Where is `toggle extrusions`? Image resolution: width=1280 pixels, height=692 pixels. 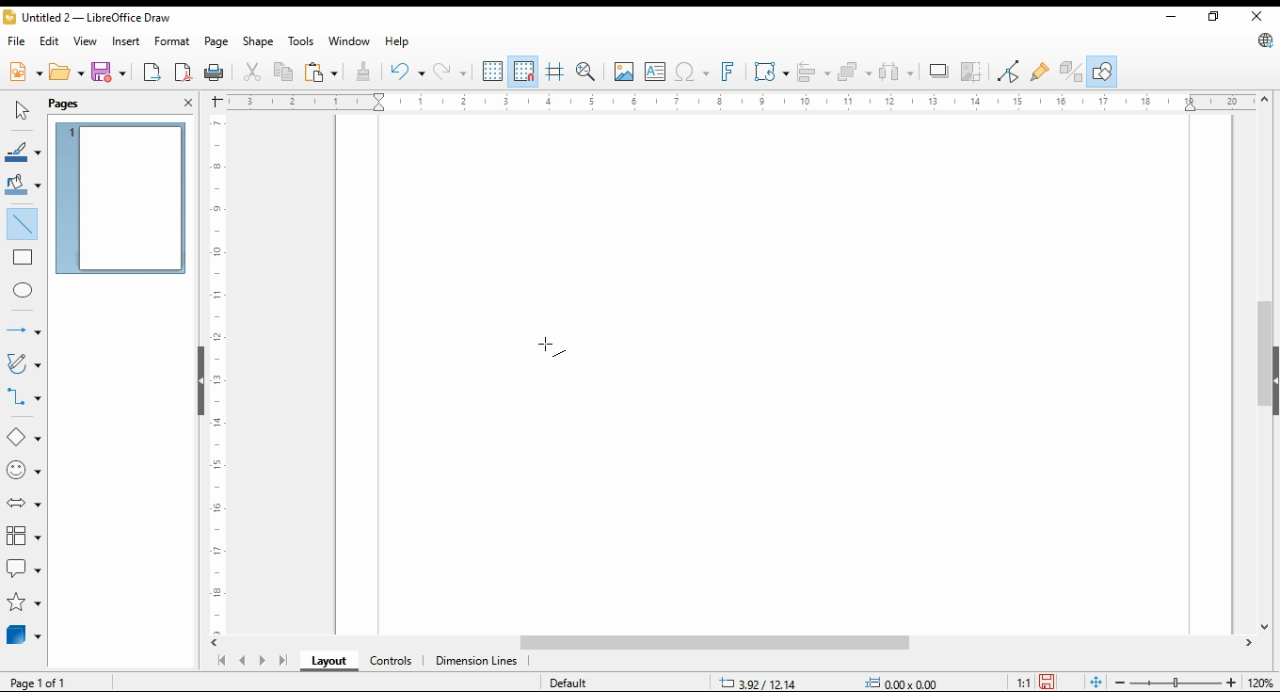 toggle extrusions is located at coordinates (1071, 72).